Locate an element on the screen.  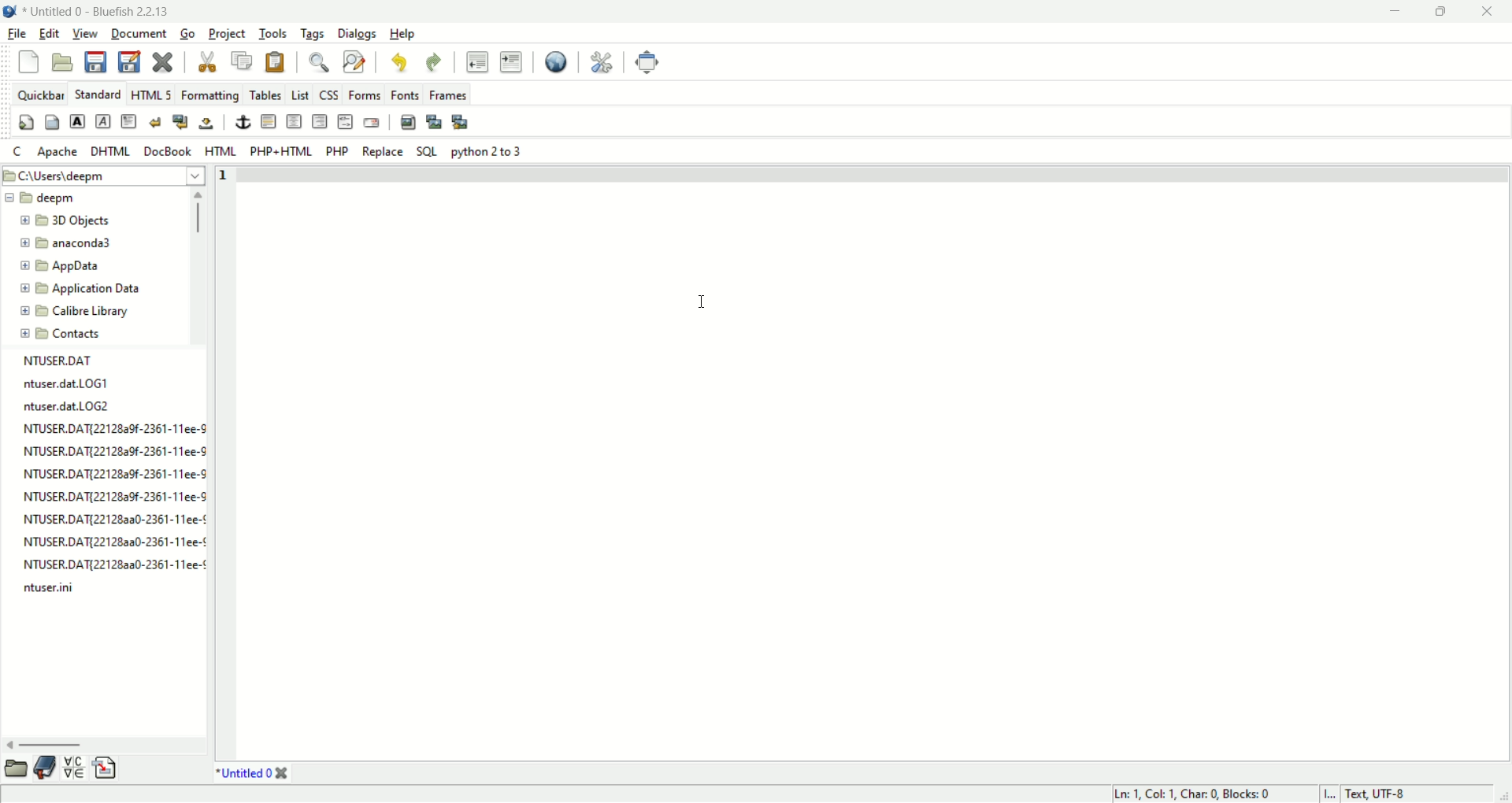
PHP is located at coordinates (339, 149).